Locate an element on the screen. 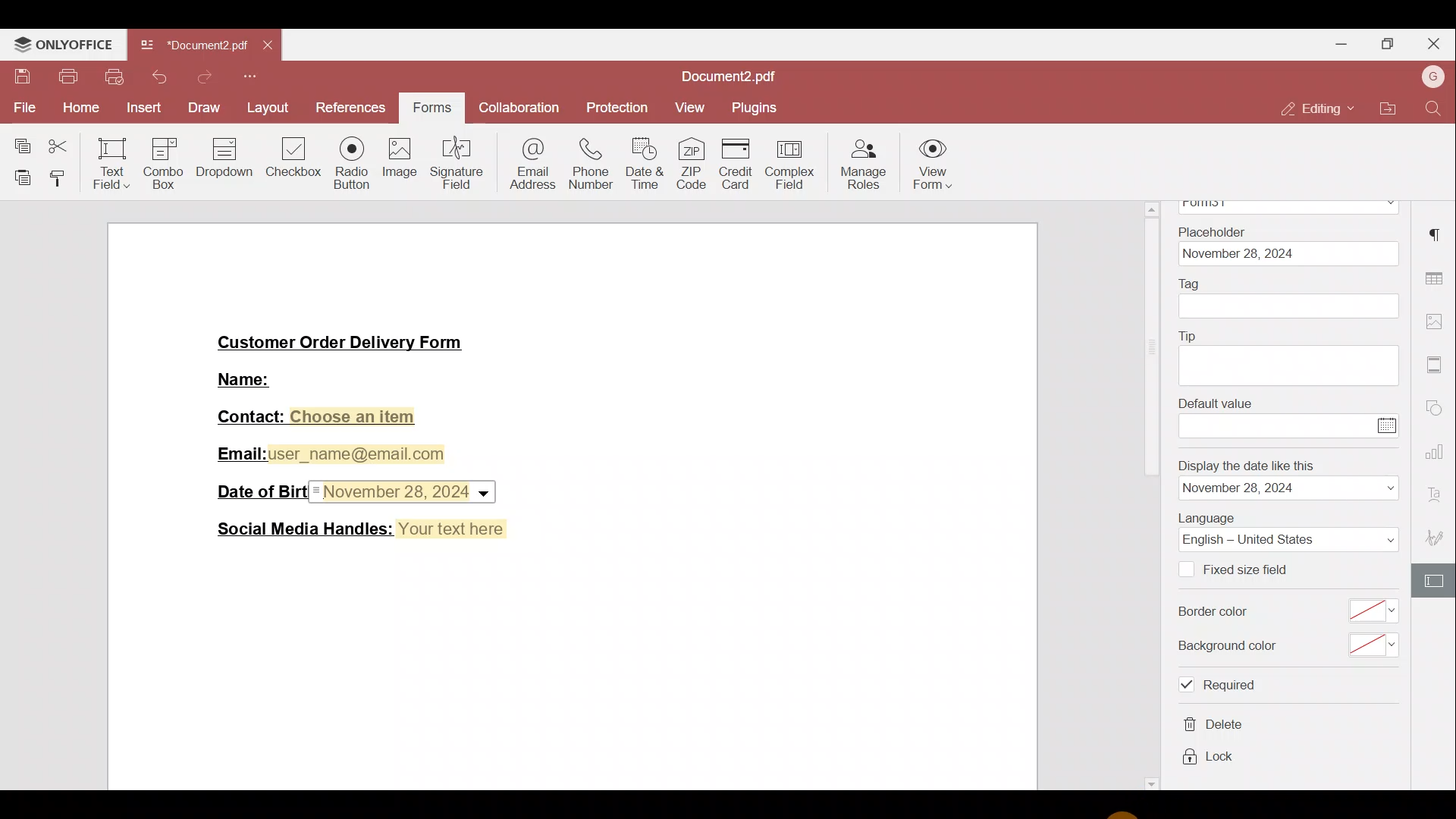  Document2.pdf is located at coordinates (193, 45).